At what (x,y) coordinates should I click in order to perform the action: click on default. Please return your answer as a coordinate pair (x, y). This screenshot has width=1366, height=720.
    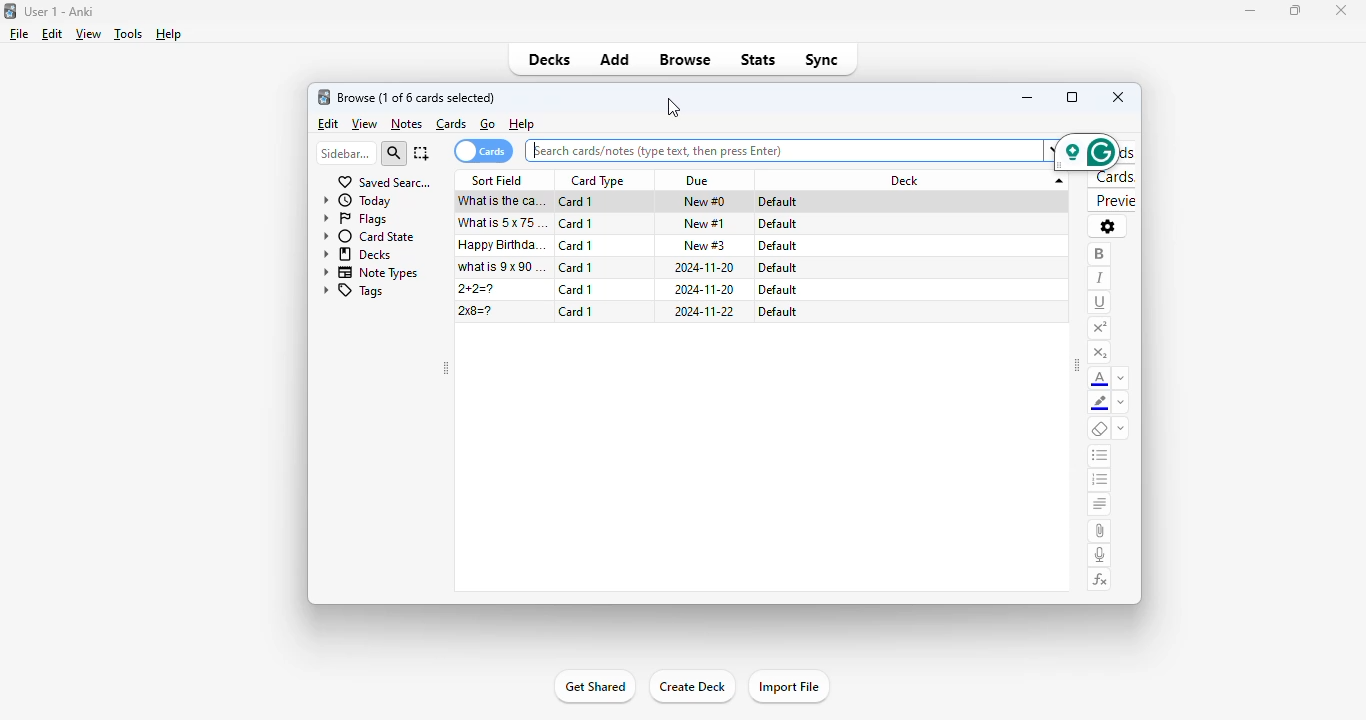
    Looking at the image, I should click on (776, 267).